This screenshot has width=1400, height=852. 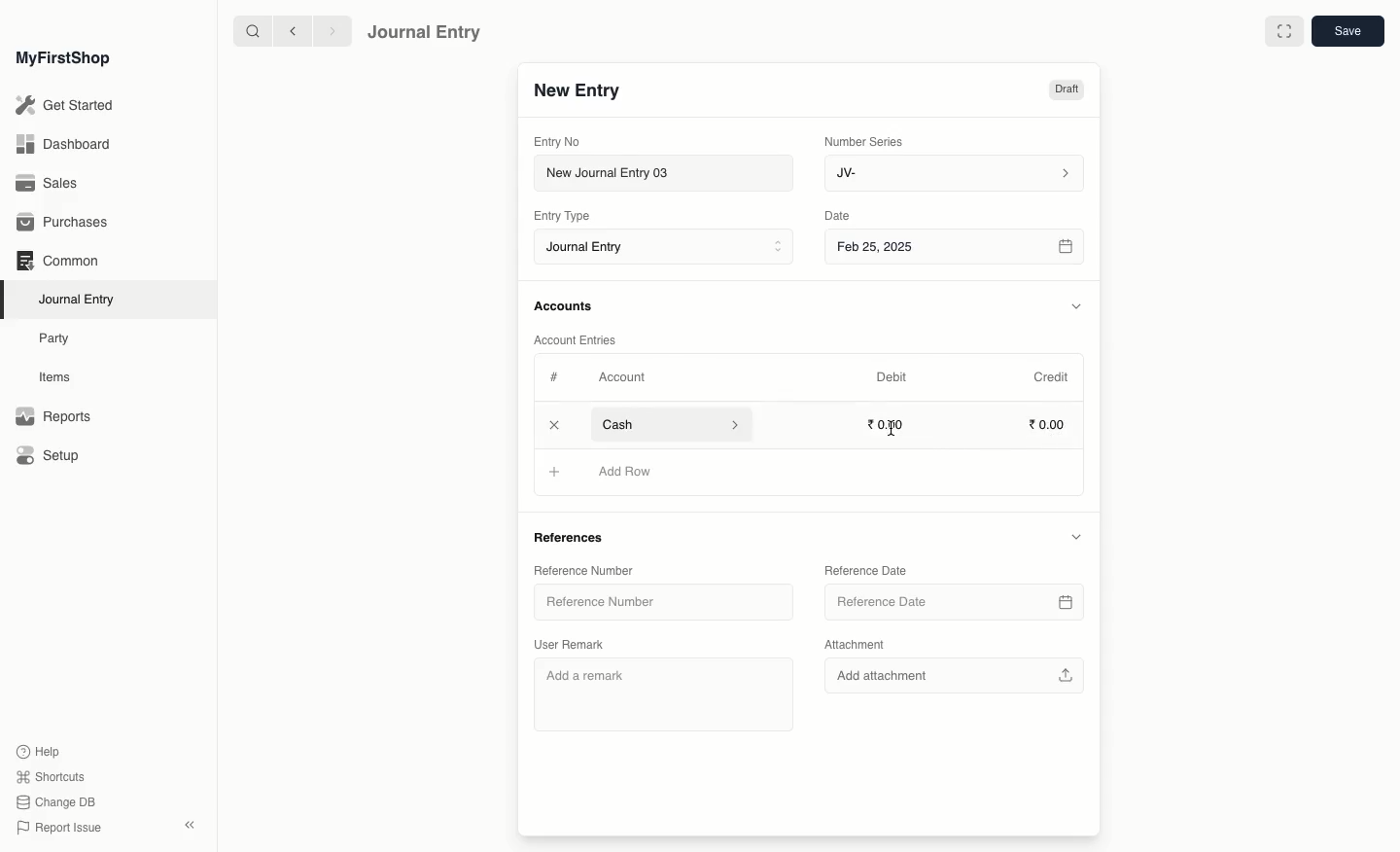 I want to click on New Entry, so click(x=577, y=91).